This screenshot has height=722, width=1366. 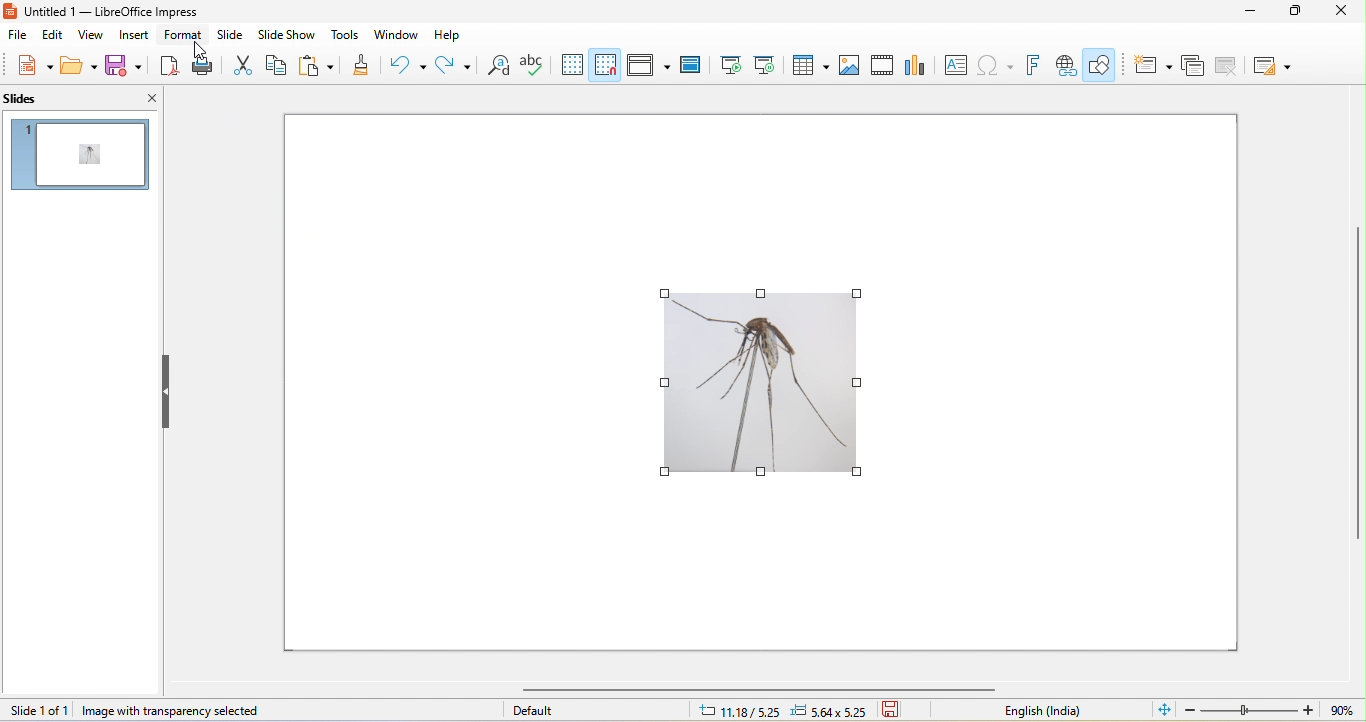 I want to click on format, so click(x=184, y=35).